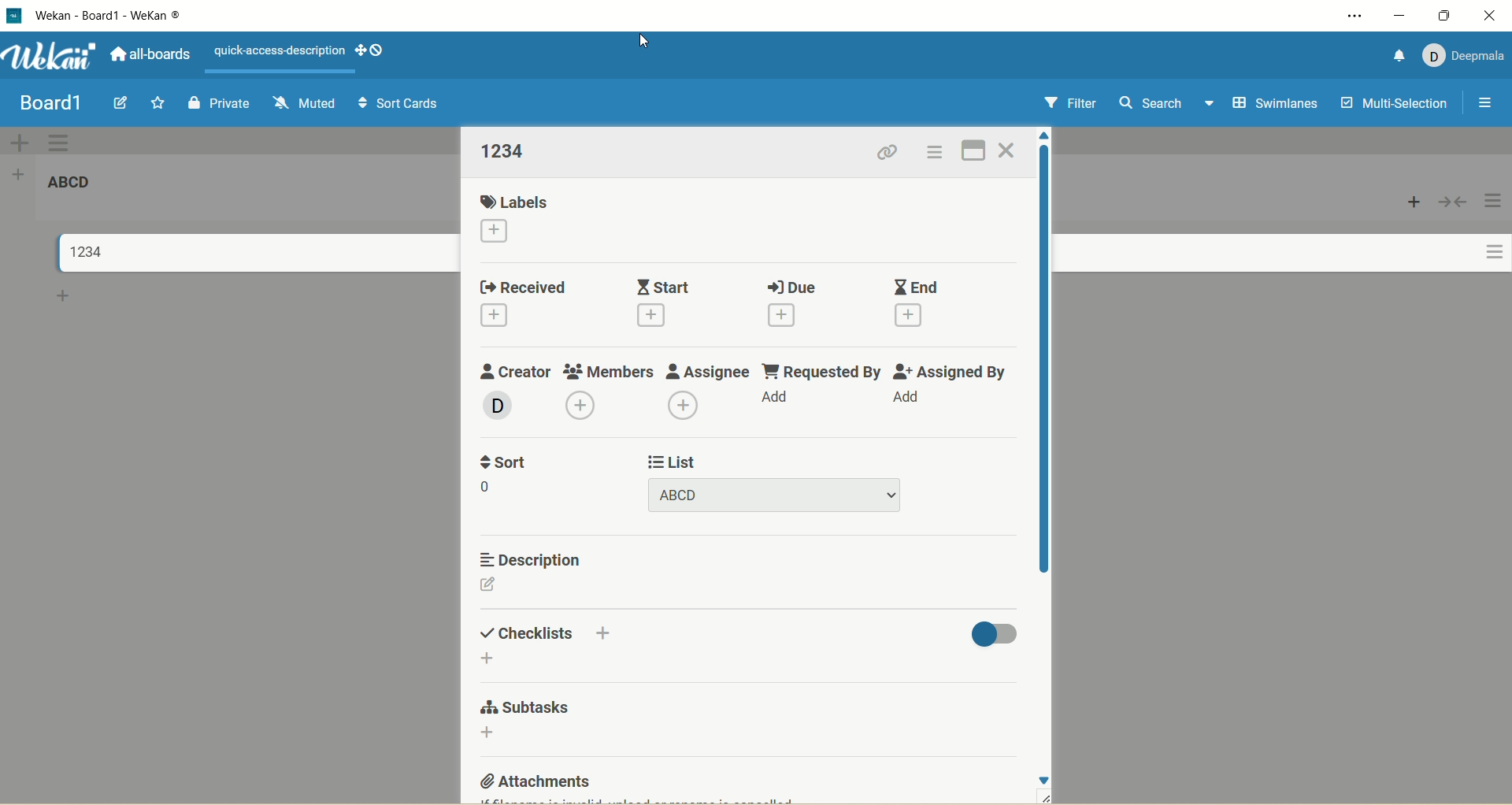 The width and height of the screenshot is (1512, 805). What do you see at coordinates (1495, 233) in the screenshot?
I see `action` at bounding box center [1495, 233].